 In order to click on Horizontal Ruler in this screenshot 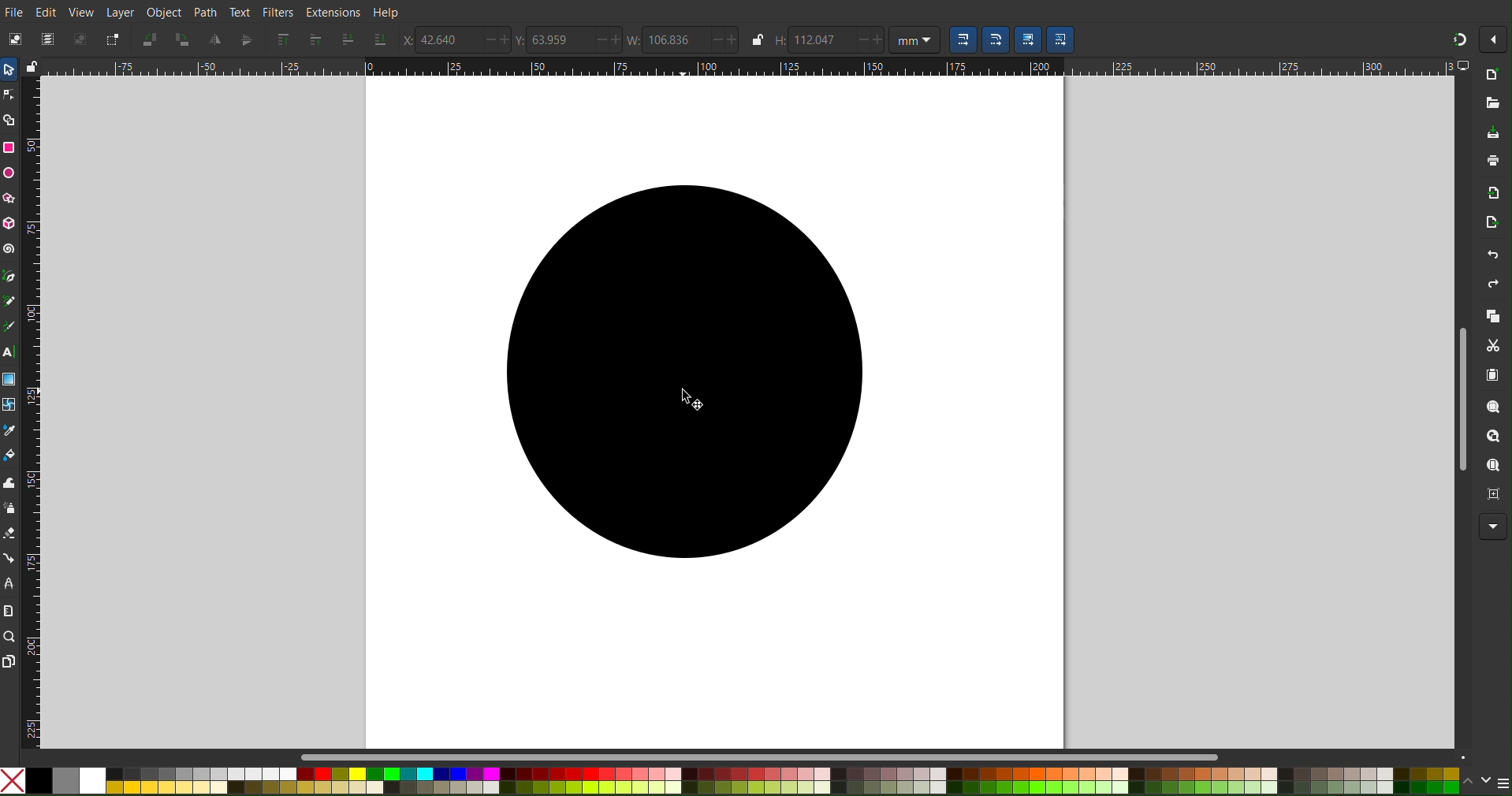, I will do `click(748, 66)`.